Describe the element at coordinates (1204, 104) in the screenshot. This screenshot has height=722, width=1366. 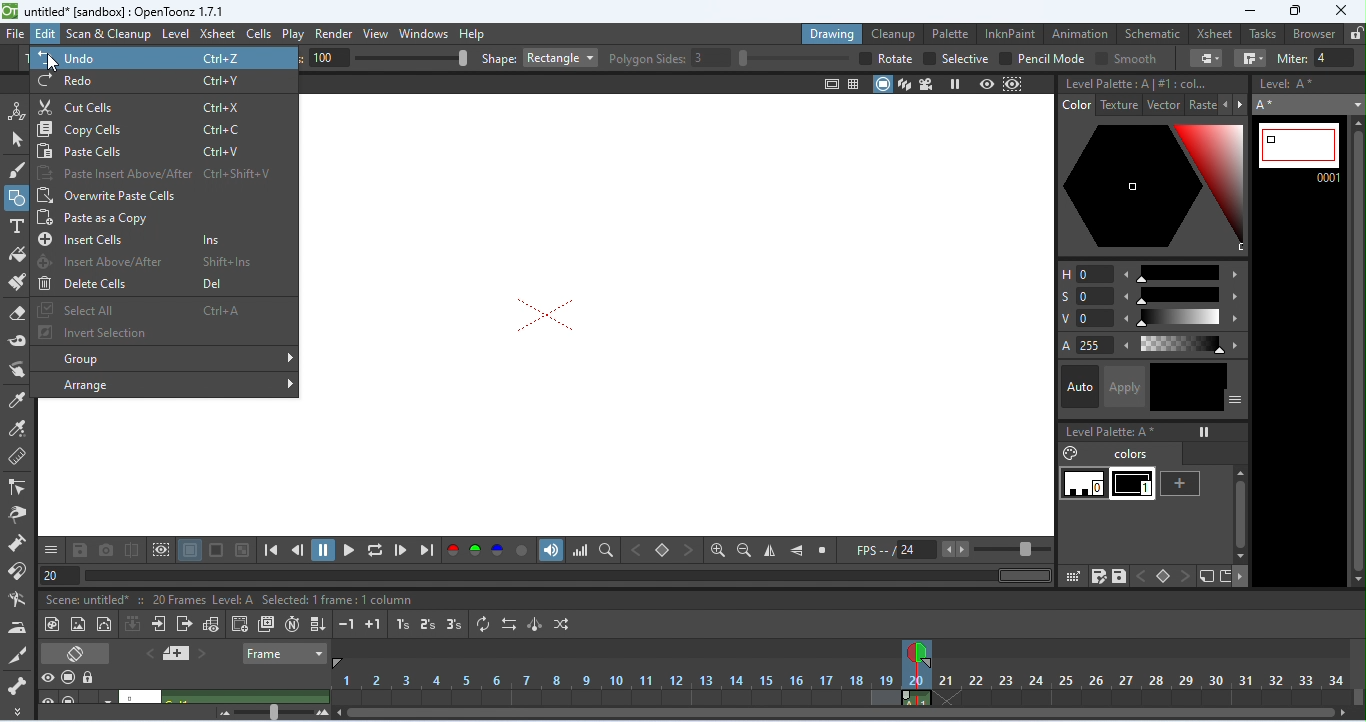
I see `raster` at that location.